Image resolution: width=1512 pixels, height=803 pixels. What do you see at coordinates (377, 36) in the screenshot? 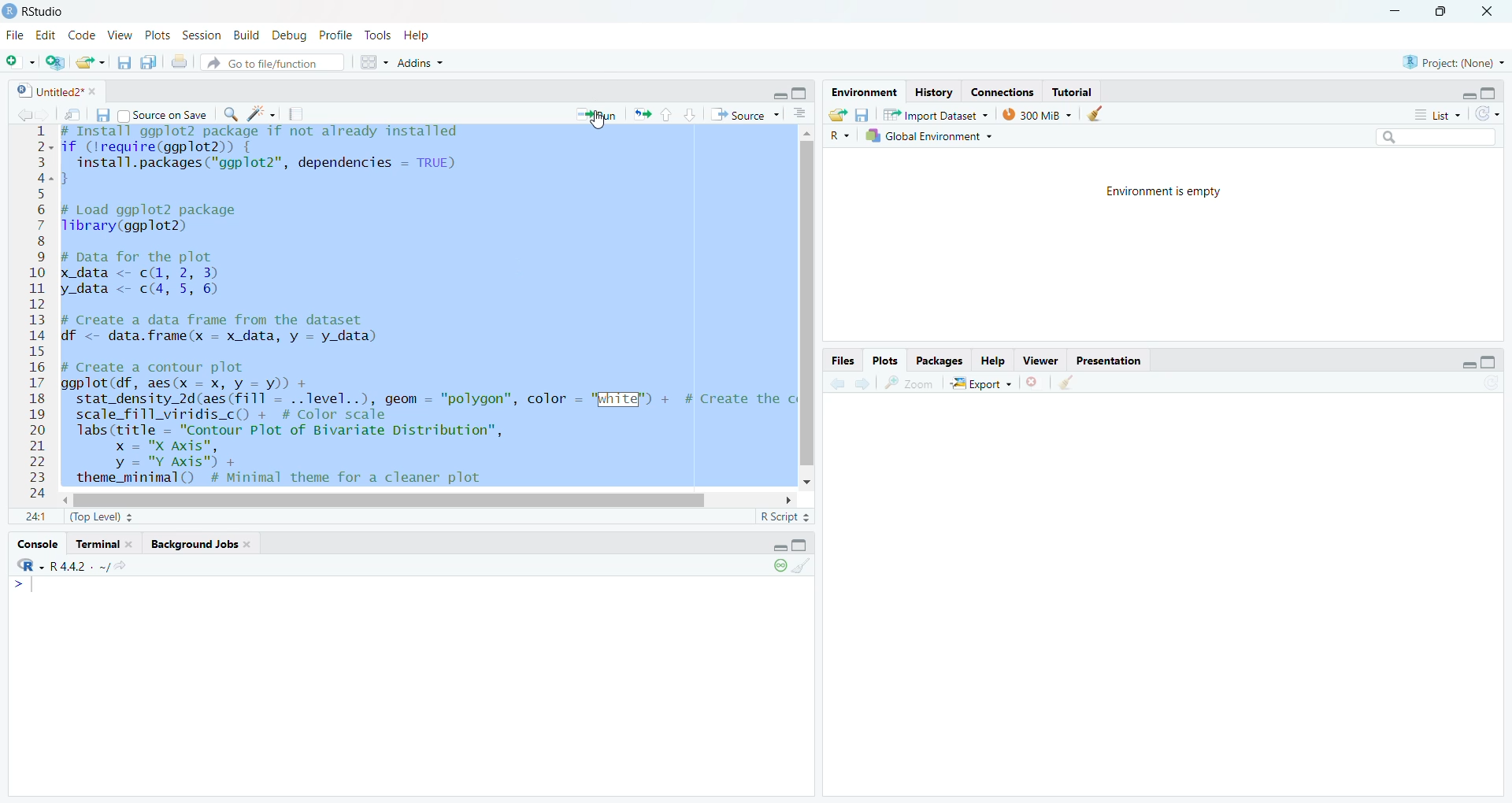
I see `Tools` at bounding box center [377, 36].